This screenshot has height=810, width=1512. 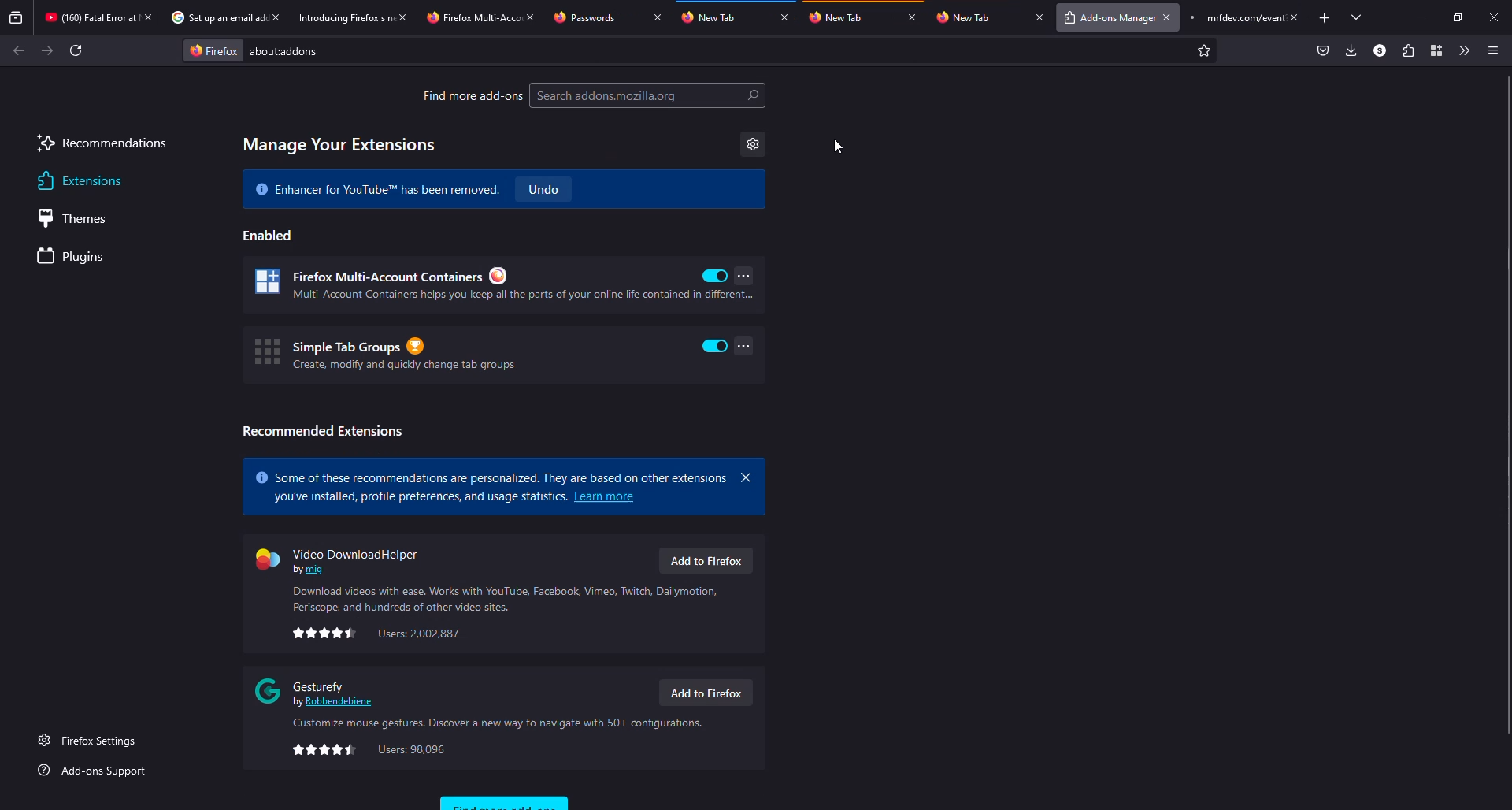 What do you see at coordinates (505, 599) in the screenshot?
I see `info` at bounding box center [505, 599].